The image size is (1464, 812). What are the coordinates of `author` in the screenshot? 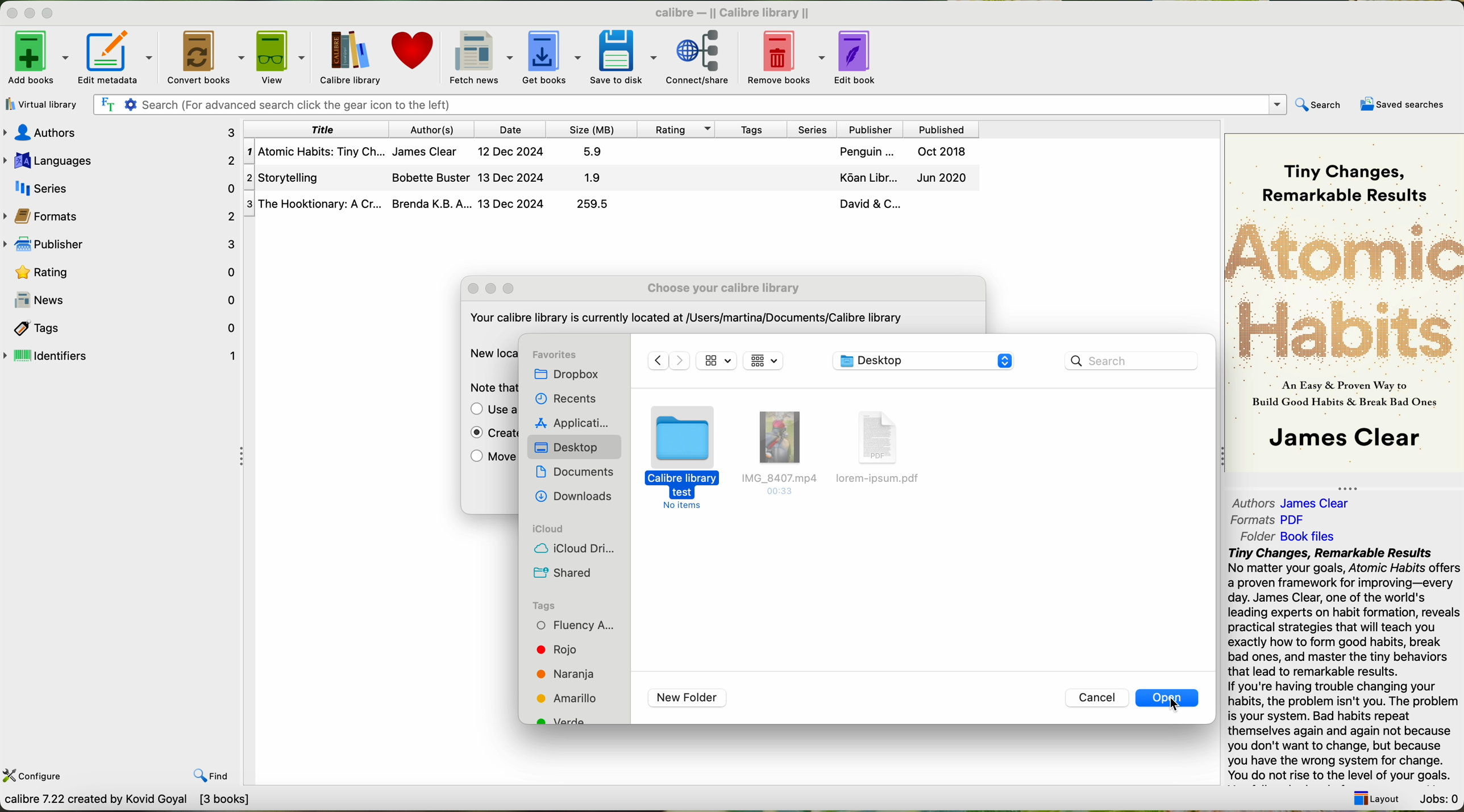 It's located at (434, 129).